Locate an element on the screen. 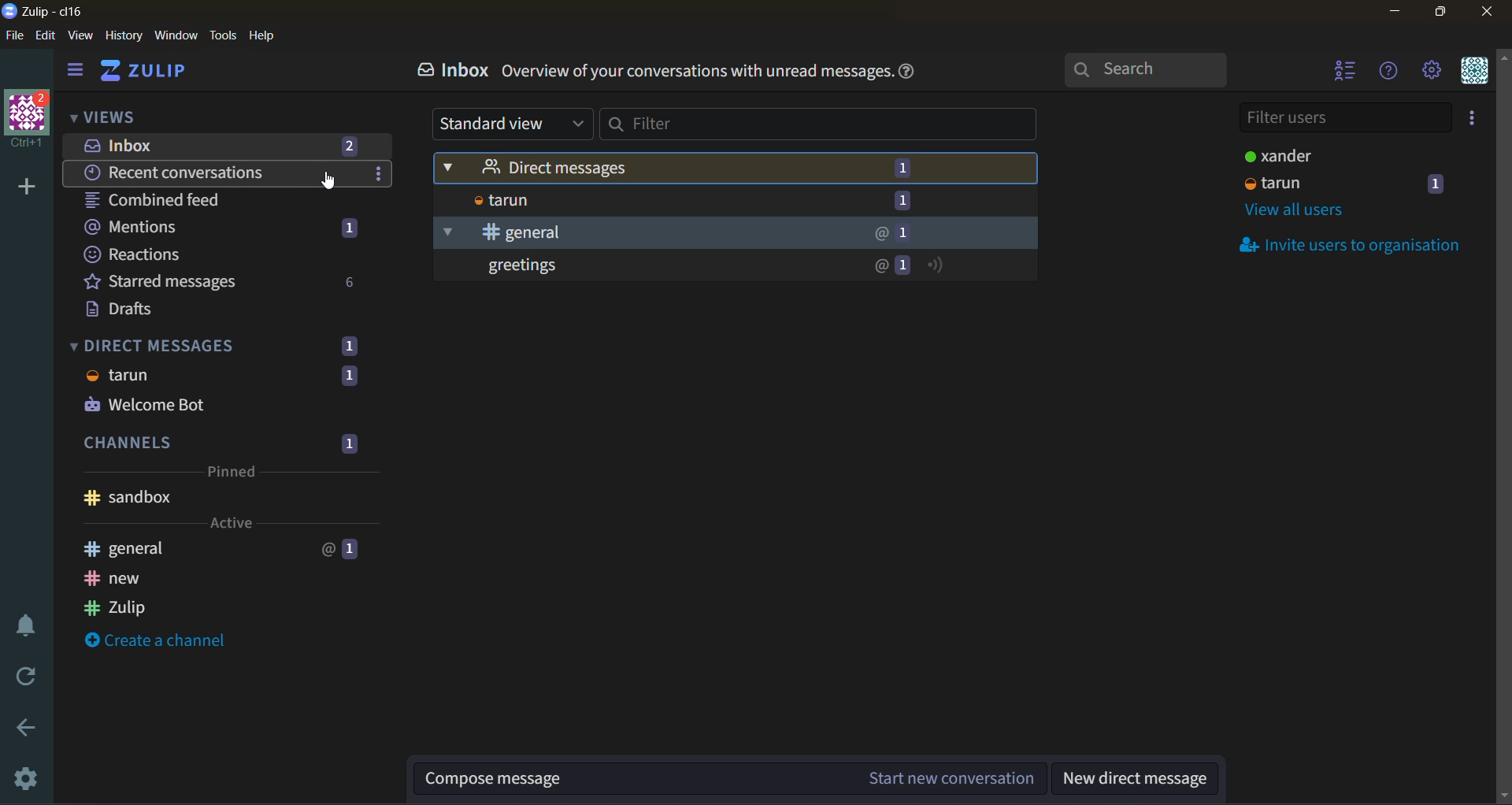 The width and height of the screenshot is (1512, 805). file is located at coordinates (15, 35).